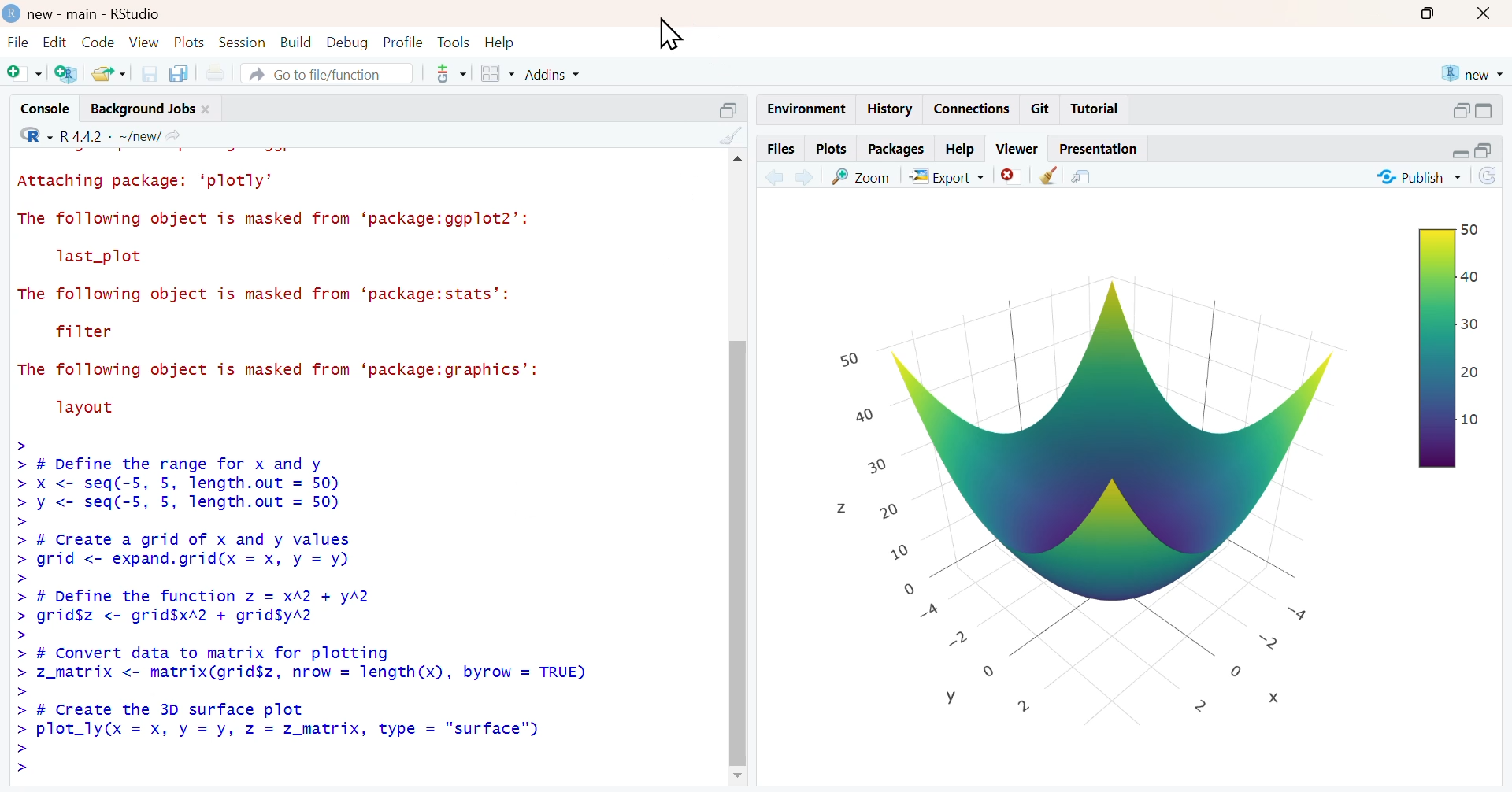 The image size is (1512, 792). What do you see at coordinates (157, 711) in the screenshot?
I see `> # Create the 3D surface plot` at bounding box center [157, 711].